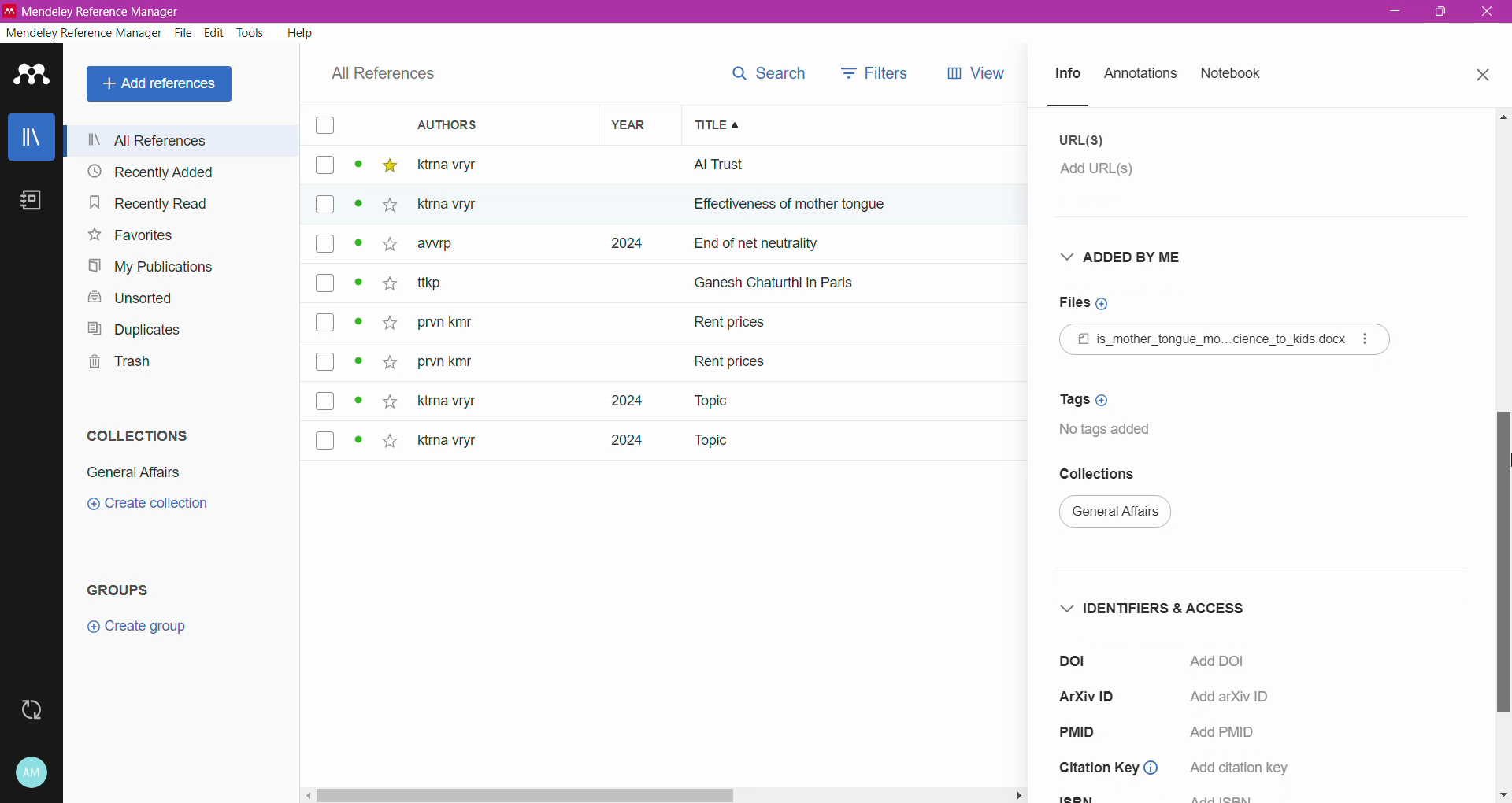 The width and height of the screenshot is (1512, 803). What do you see at coordinates (617, 446) in the screenshot?
I see `2024` at bounding box center [617, 446].